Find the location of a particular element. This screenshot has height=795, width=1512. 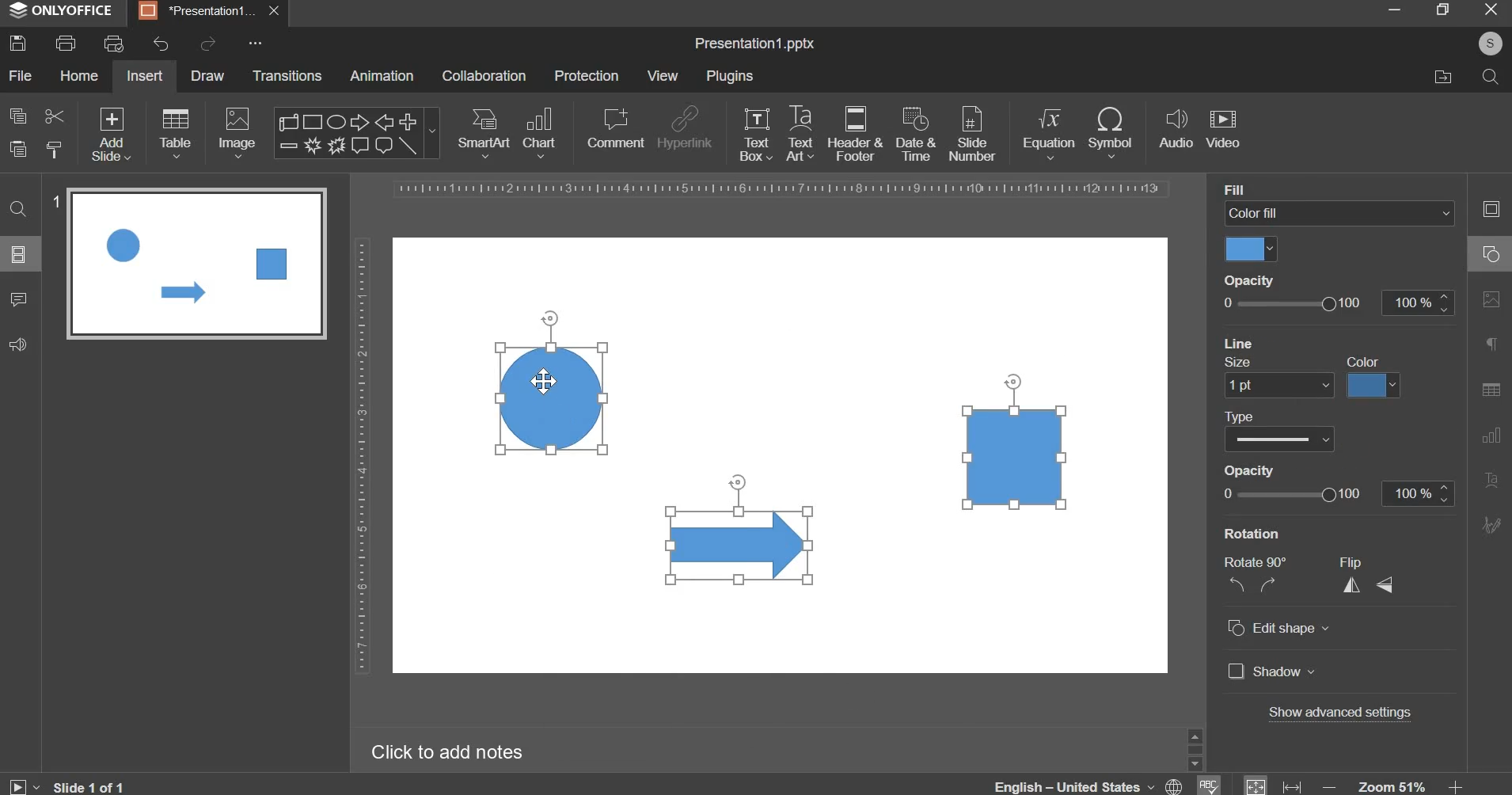

audio is located at coordinates (1176, 130).